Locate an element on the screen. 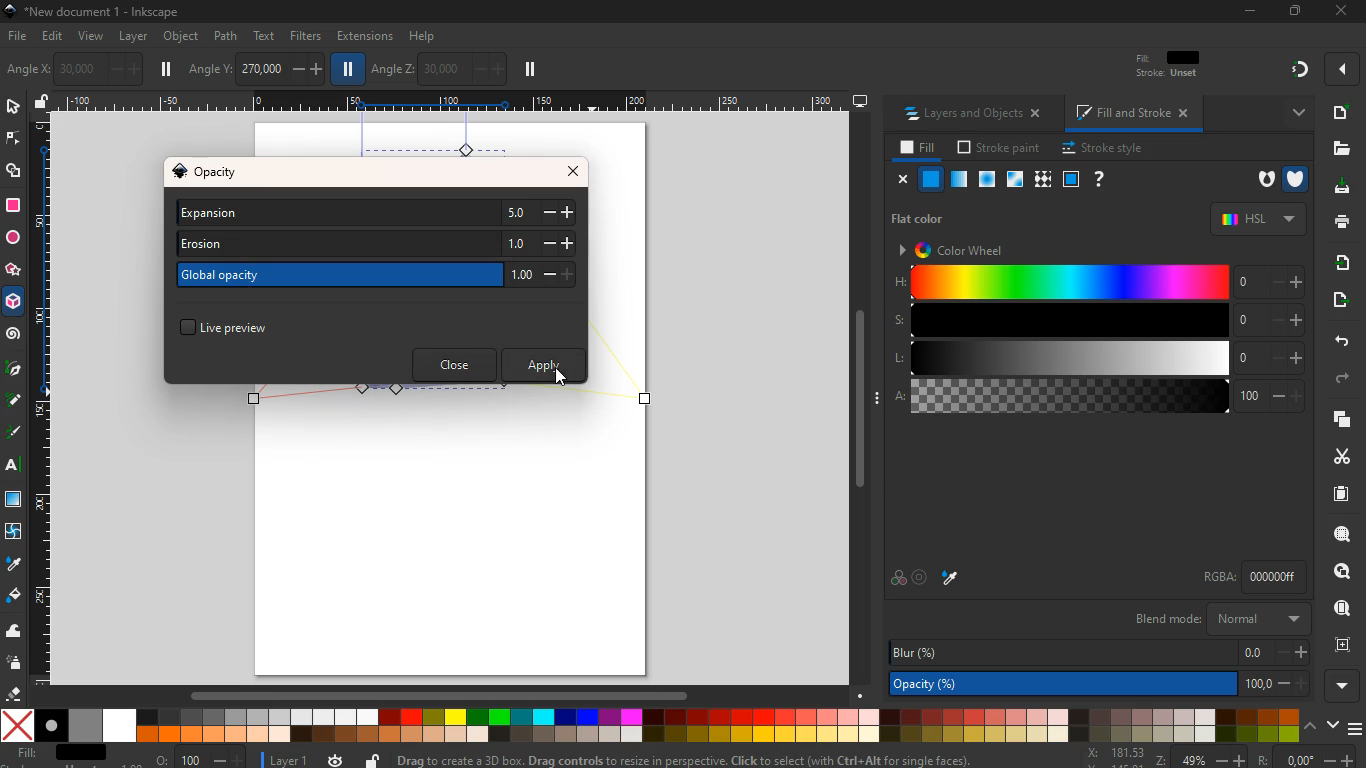 Image resolution: width=1366 pixels, height=768 pixels. Down is located at coordinates (861, 694).